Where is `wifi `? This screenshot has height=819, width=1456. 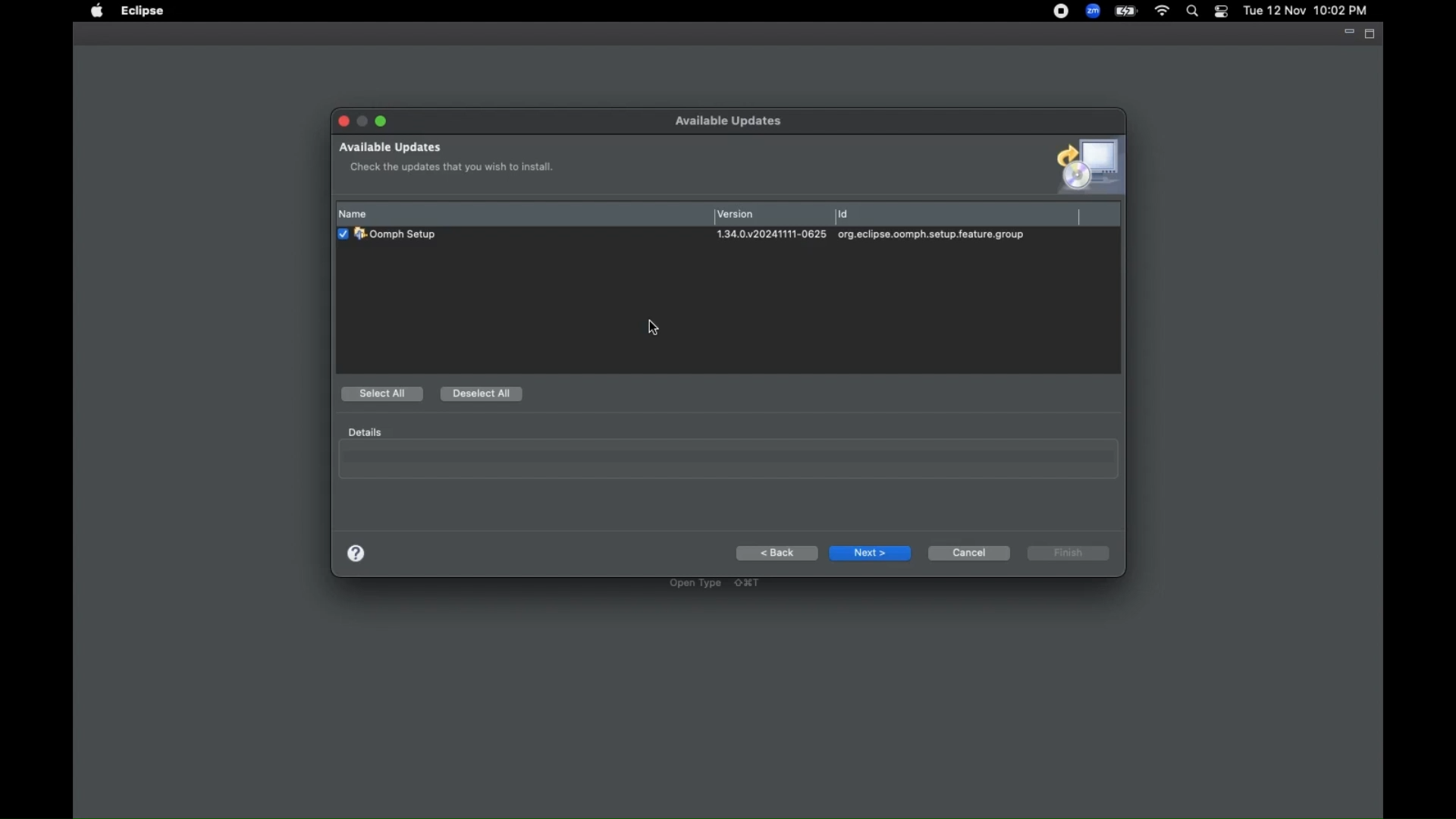
wifi  is located at coordinates (1161, 13).